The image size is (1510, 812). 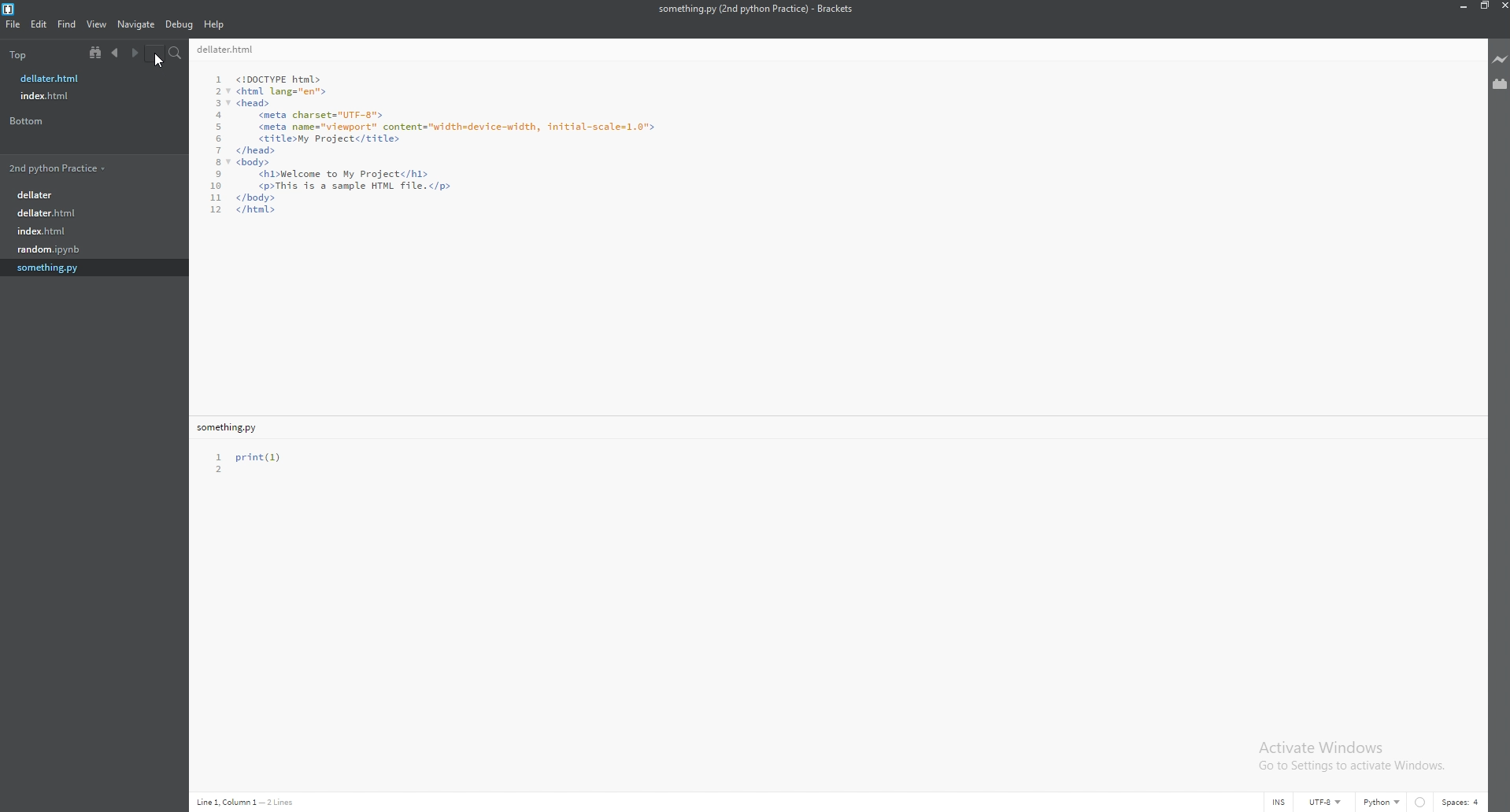 I want to click on language, so click(x=1382, y=801).